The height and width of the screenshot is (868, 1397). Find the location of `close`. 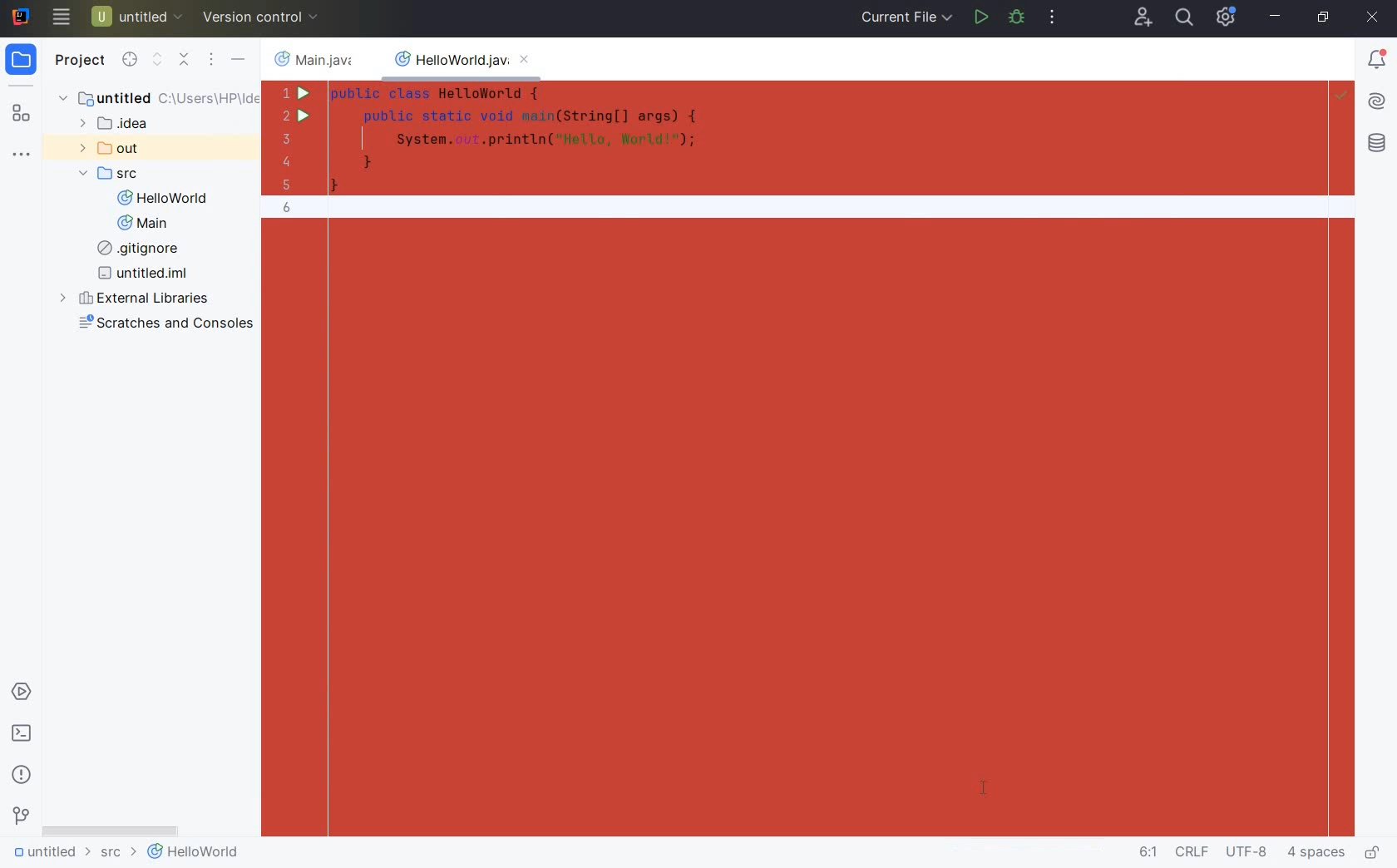

close is located at coordinates (1373, 18).